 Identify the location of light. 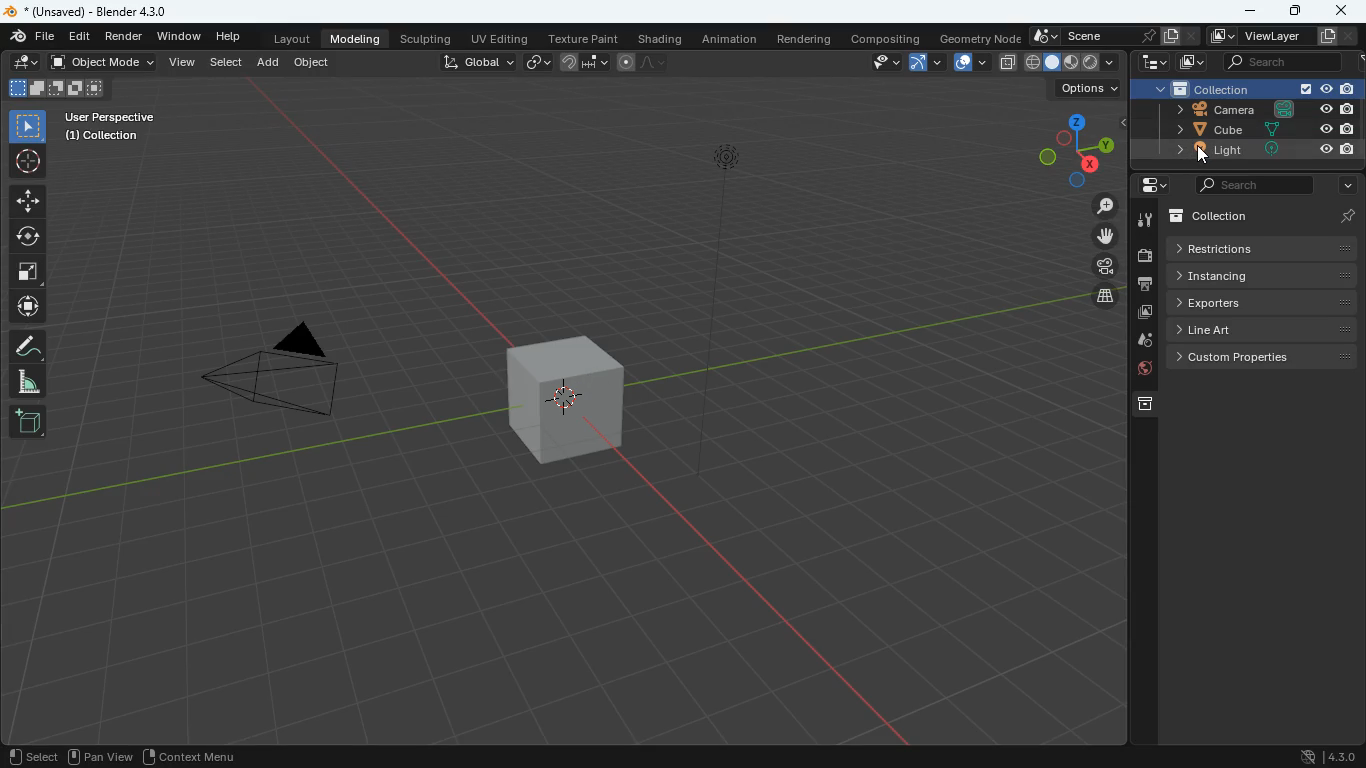
(715, 322).